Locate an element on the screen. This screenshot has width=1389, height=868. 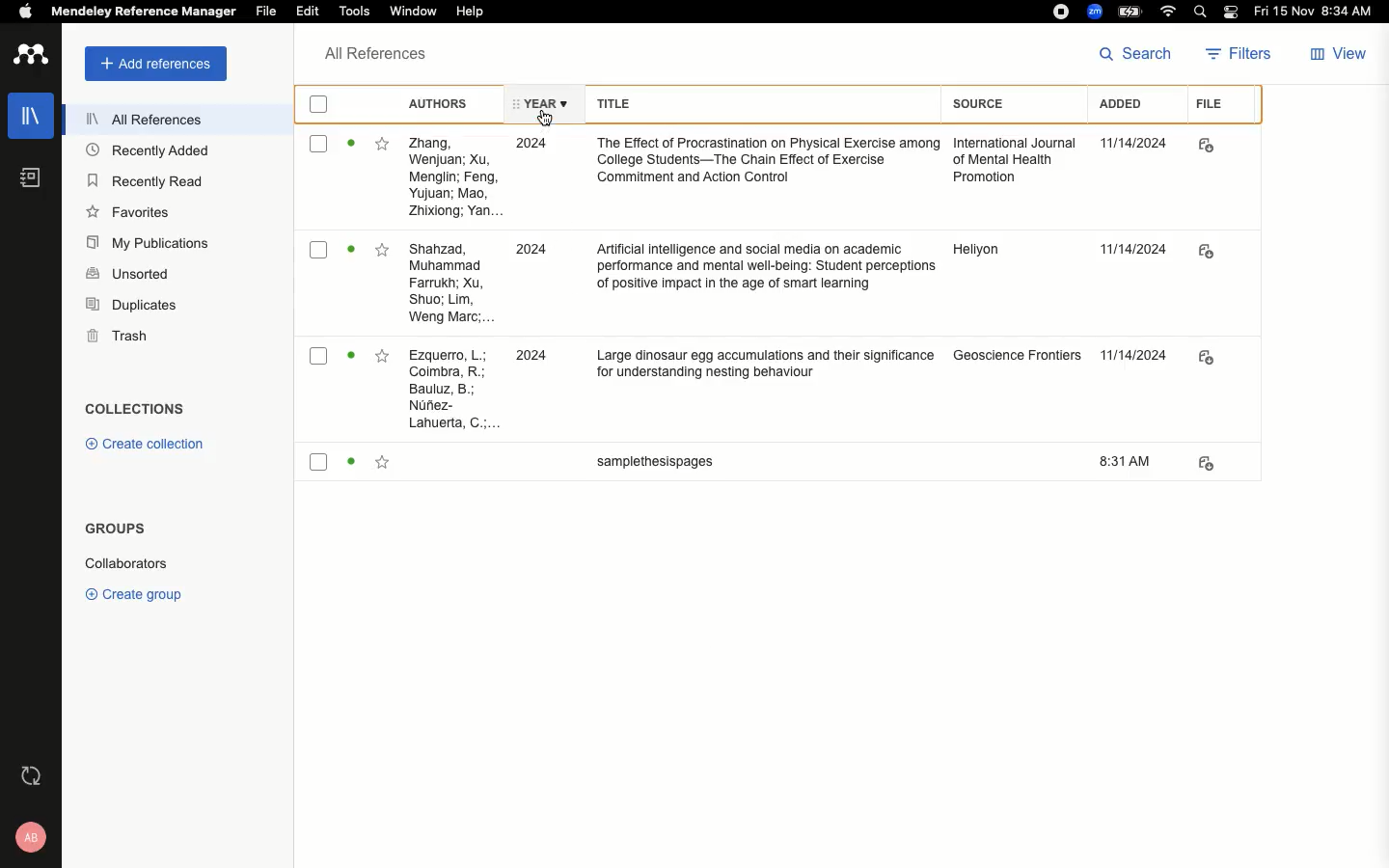
Add references is located at coordinates (155, 64).